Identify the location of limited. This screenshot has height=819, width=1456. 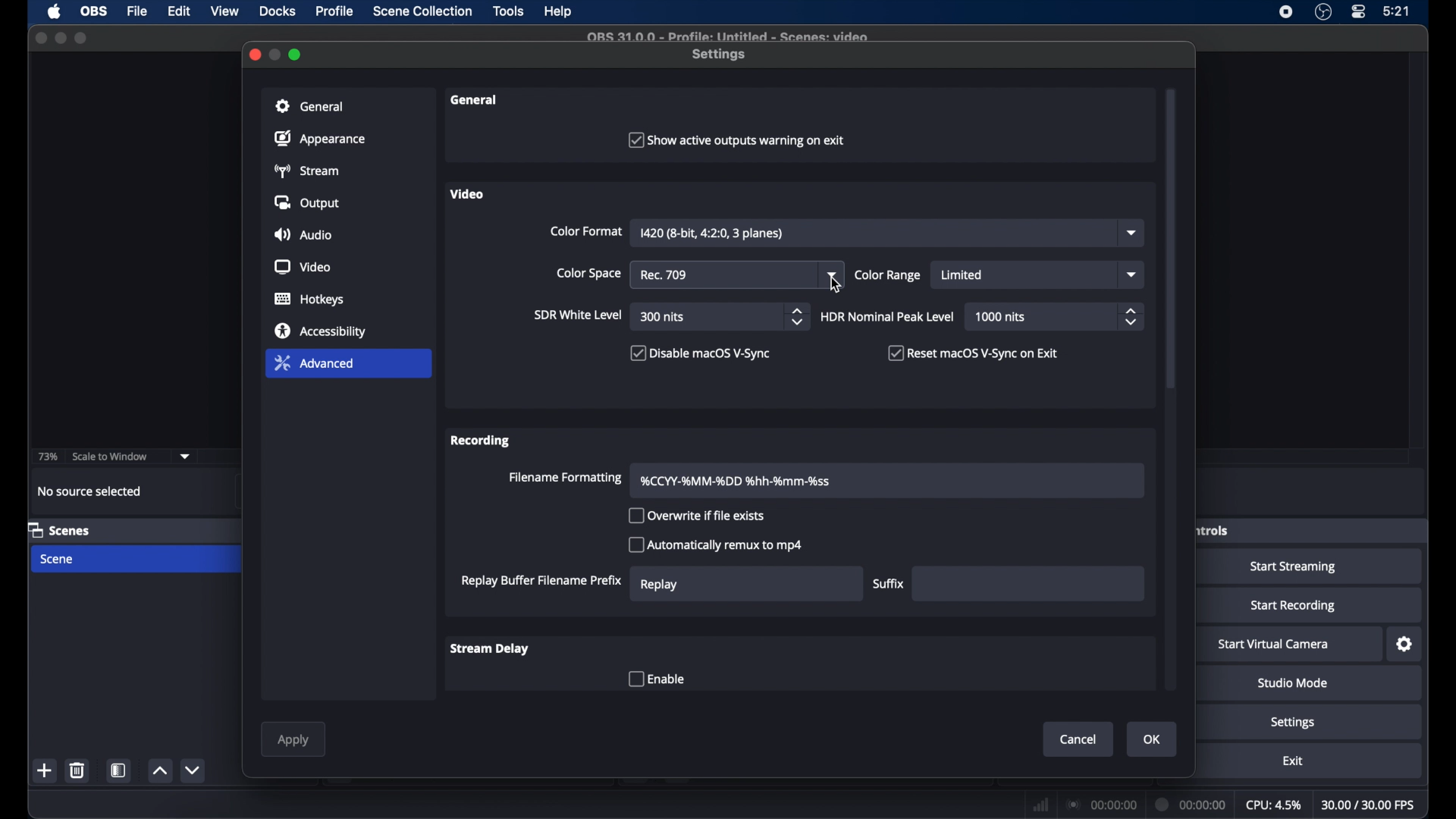
(963, 275).